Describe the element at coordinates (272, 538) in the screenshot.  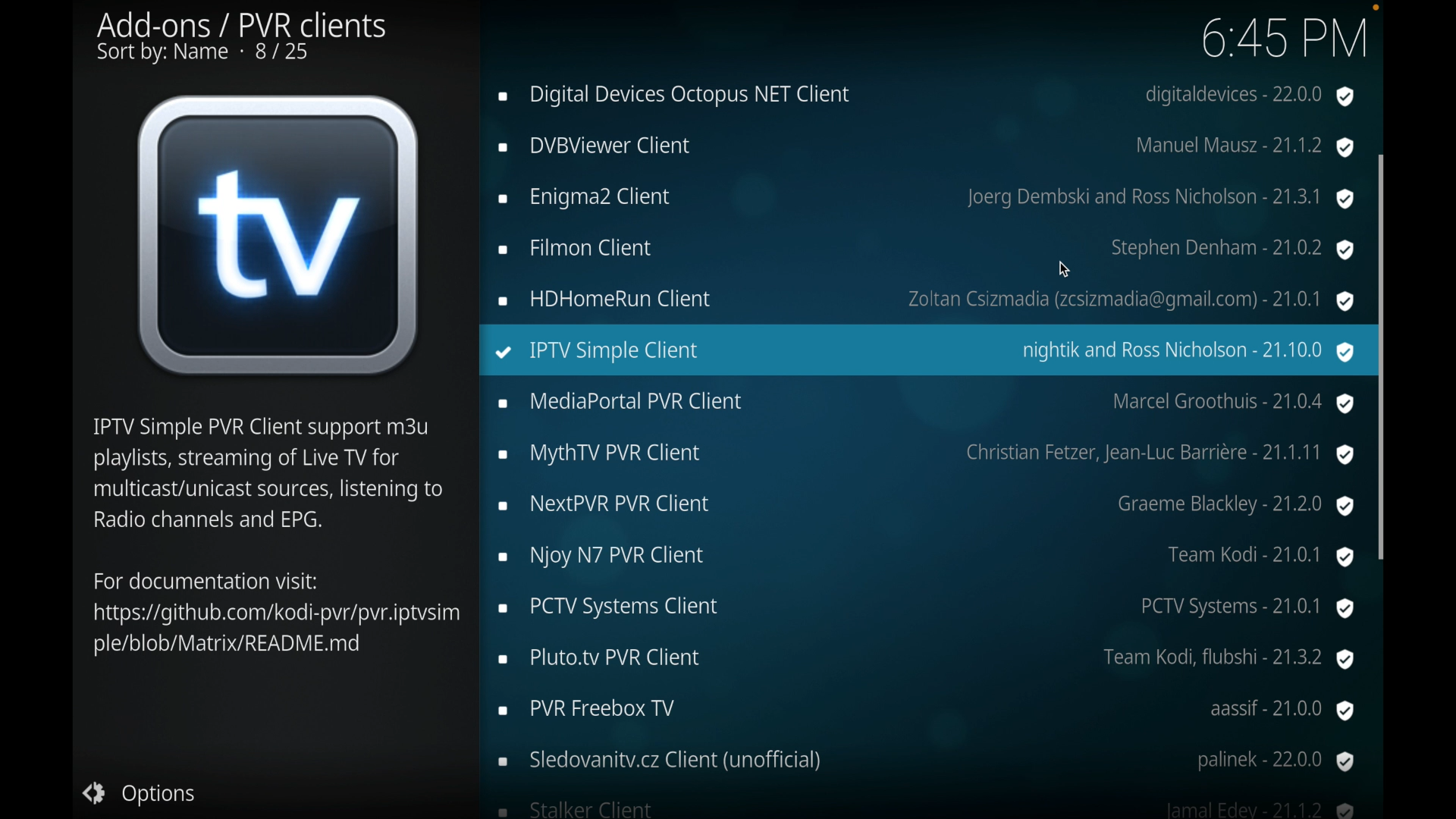
I see `IPTV Simple PVR Client support m3u
playlists, streaming of Live TV for
multicast/unicast sources, listening to
Radio channels and EPG.

For documentation visit:
https://github.com/kodi-pvr/pvr.iptvsim
ple/blob/Matrix/README.md` at that location.